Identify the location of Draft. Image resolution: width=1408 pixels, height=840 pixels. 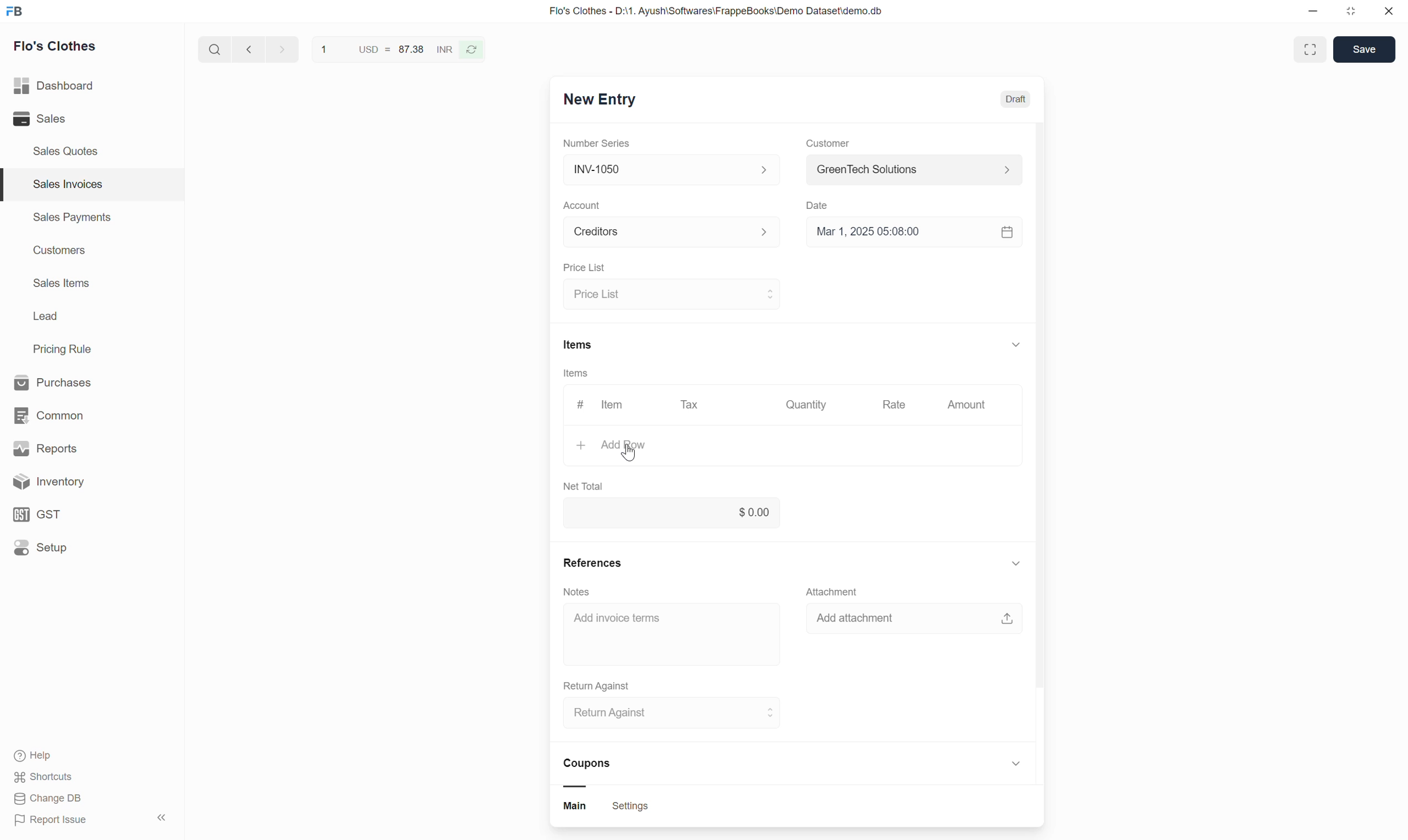
(1015, 100).